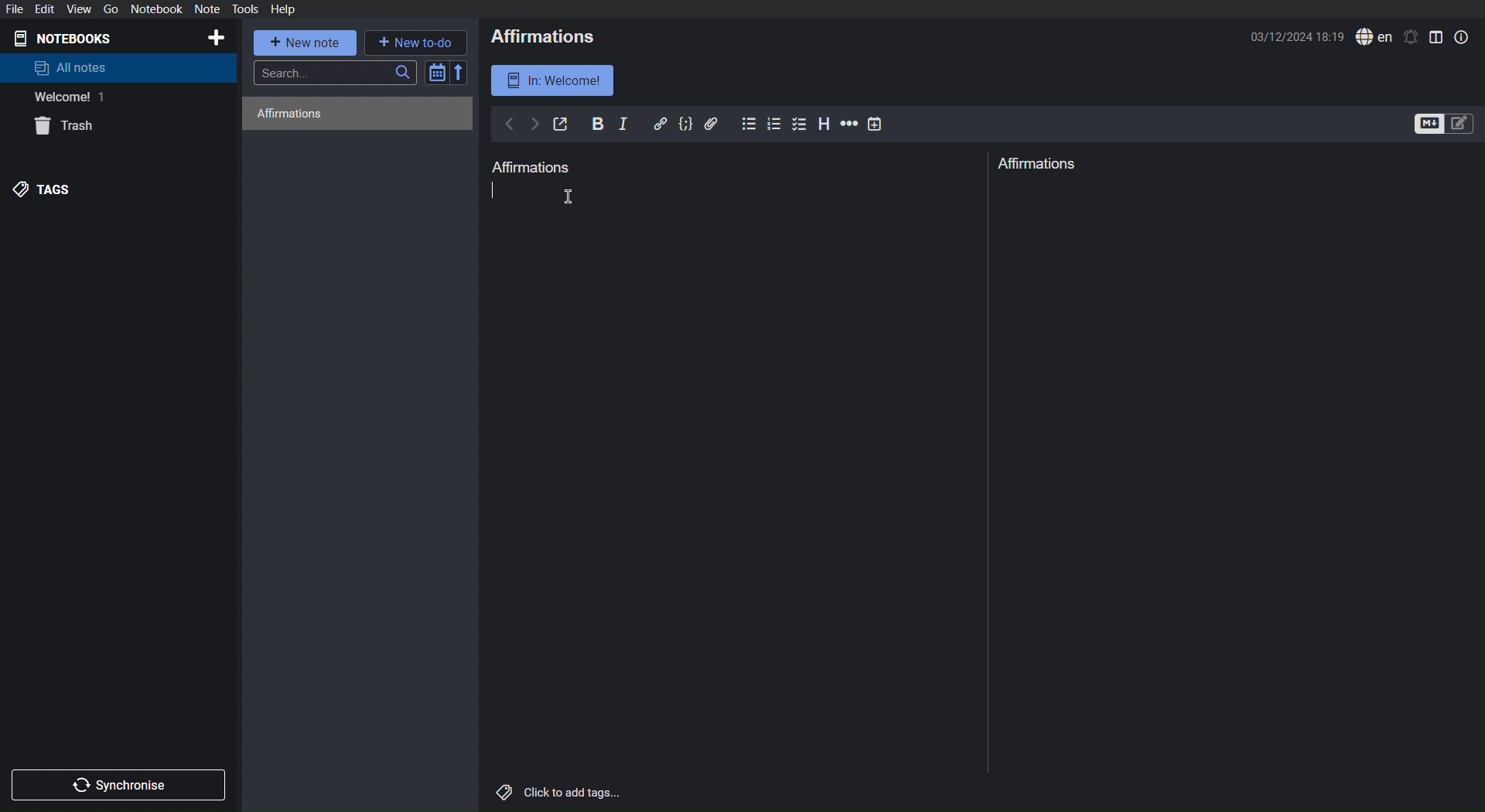 This screenshot has height=812, width=1485. What do you see at coordinates (282, 9) in the screenshot?
I see `Help` at bounding box center [282, 9].